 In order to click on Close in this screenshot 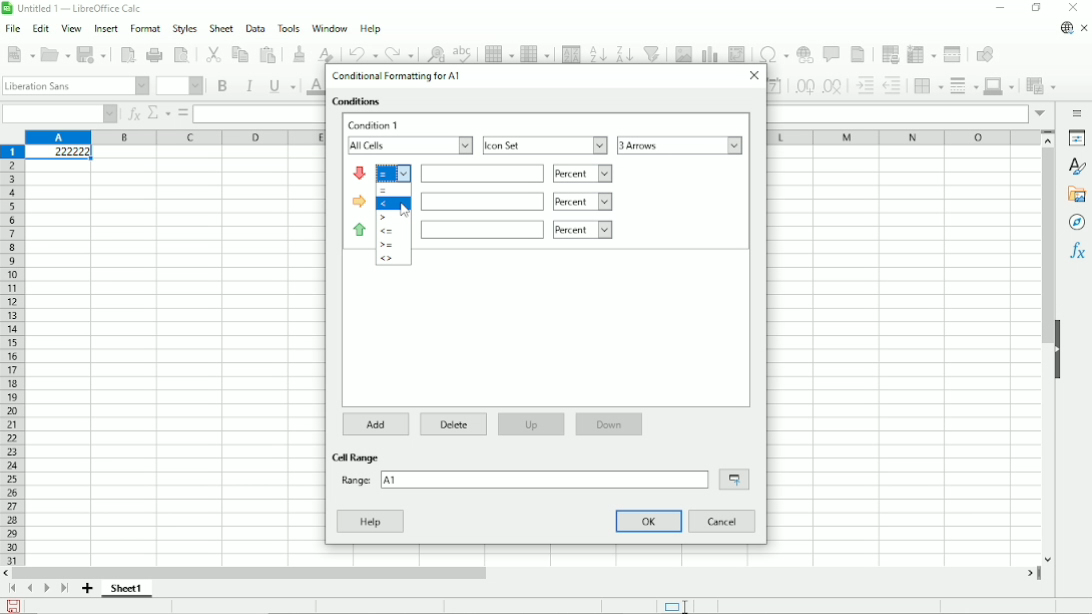, I will do `click(753, 75)`.